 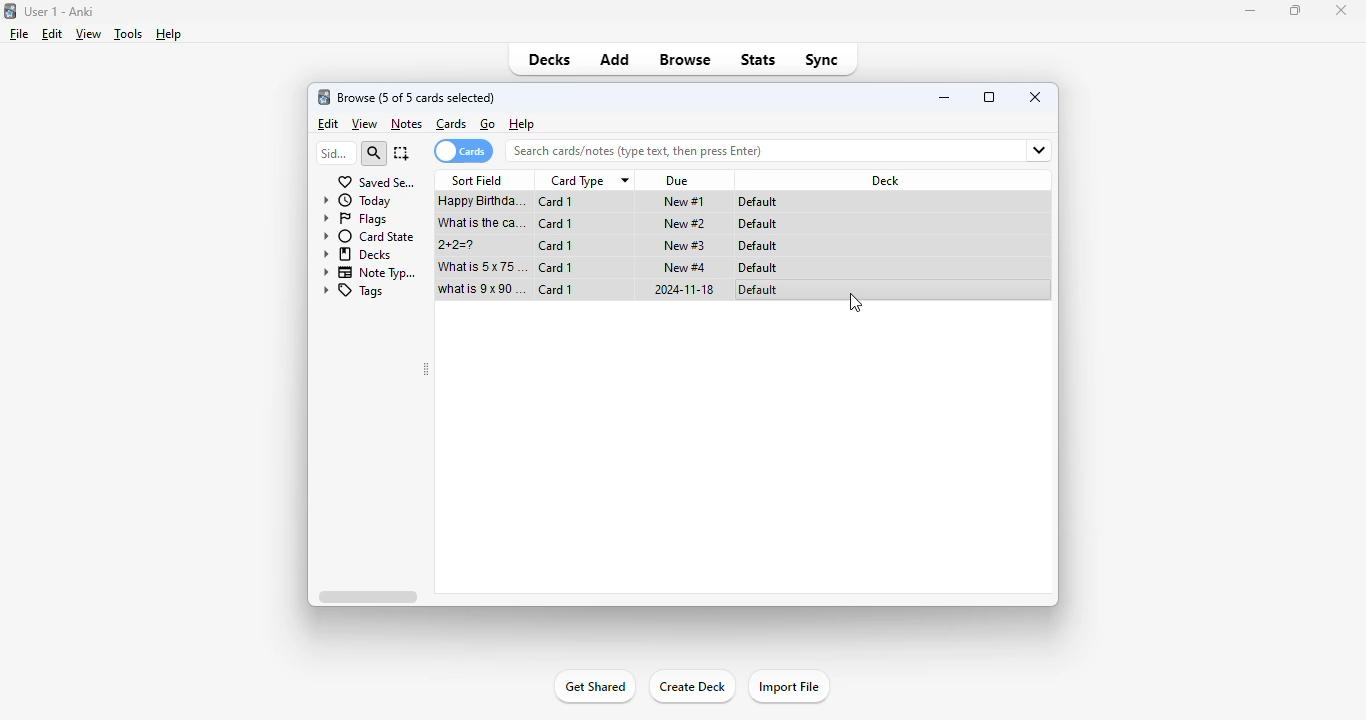 What do you see at coordinates (479, 267) in the screenshot?
I see `what is 5x75=?` at bounding box center [479, 267].